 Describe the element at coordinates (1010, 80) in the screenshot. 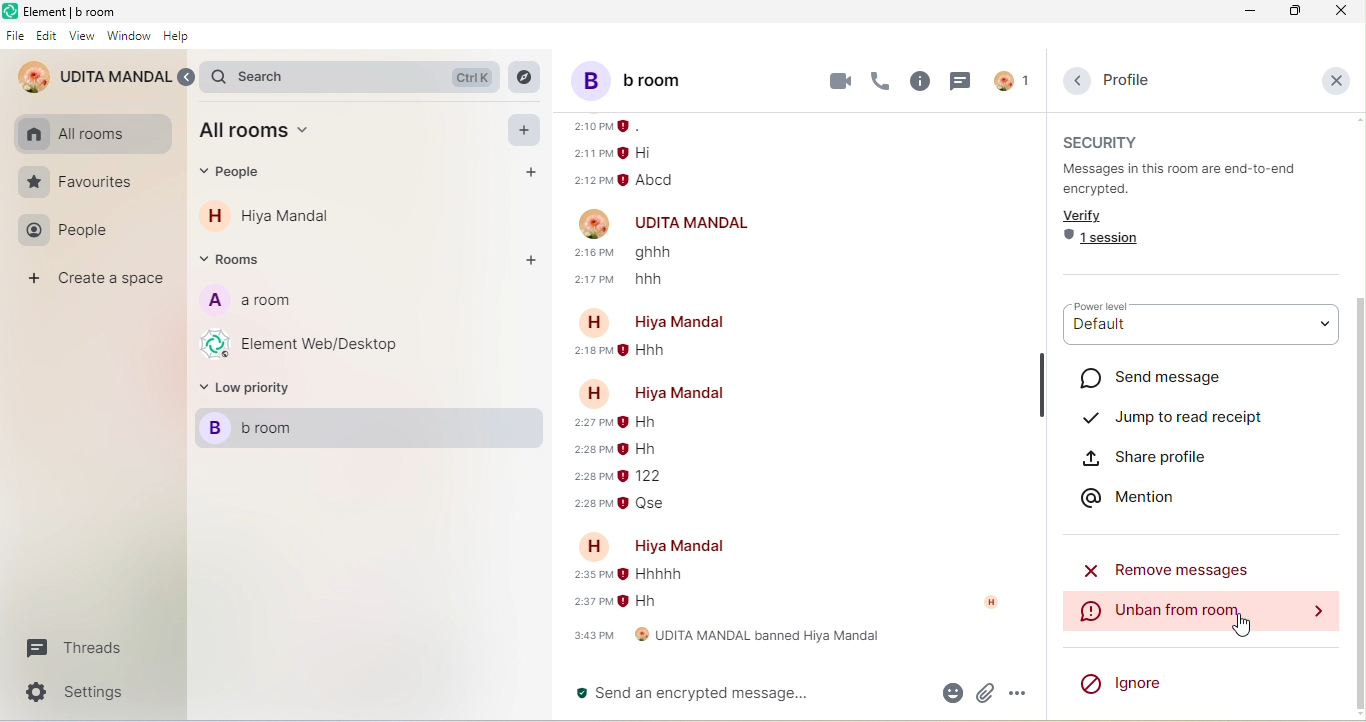

I see `account` at that location.